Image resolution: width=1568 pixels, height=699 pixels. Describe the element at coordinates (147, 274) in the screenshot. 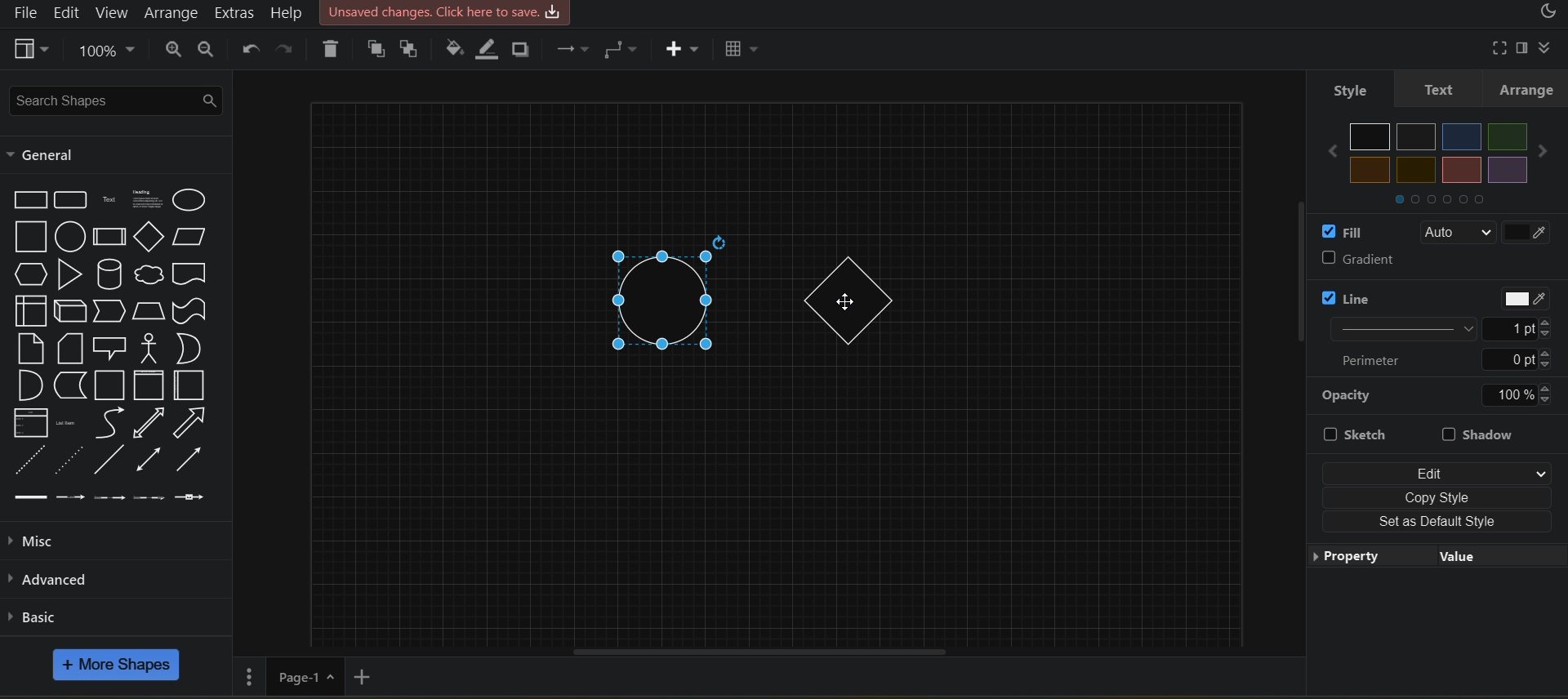

I see `Cloud` at that location.